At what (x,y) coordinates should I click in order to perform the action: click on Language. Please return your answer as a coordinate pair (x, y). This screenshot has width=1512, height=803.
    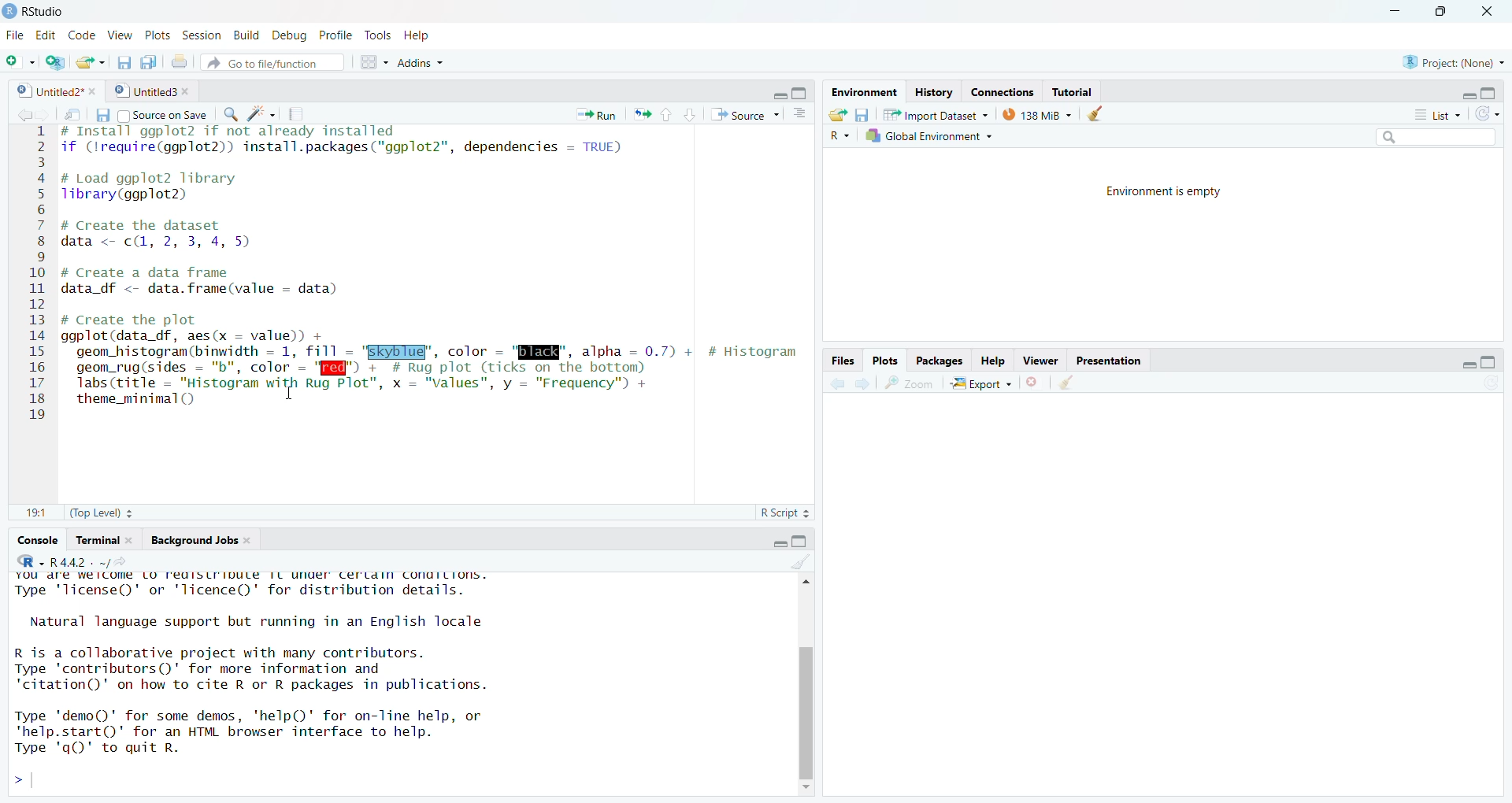
    Looking at the image, I should click on (830, 138).